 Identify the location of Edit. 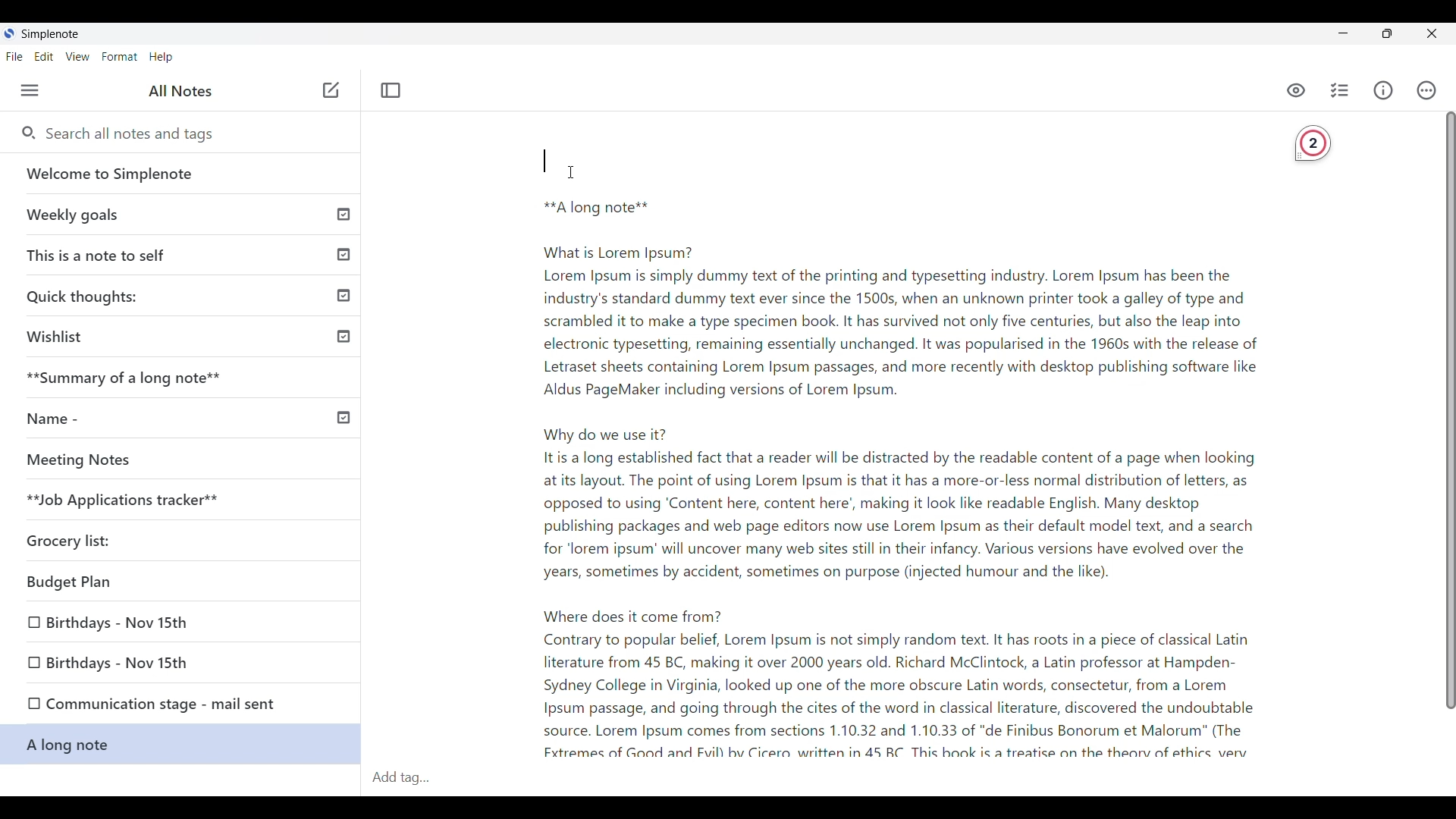
(44, 57).